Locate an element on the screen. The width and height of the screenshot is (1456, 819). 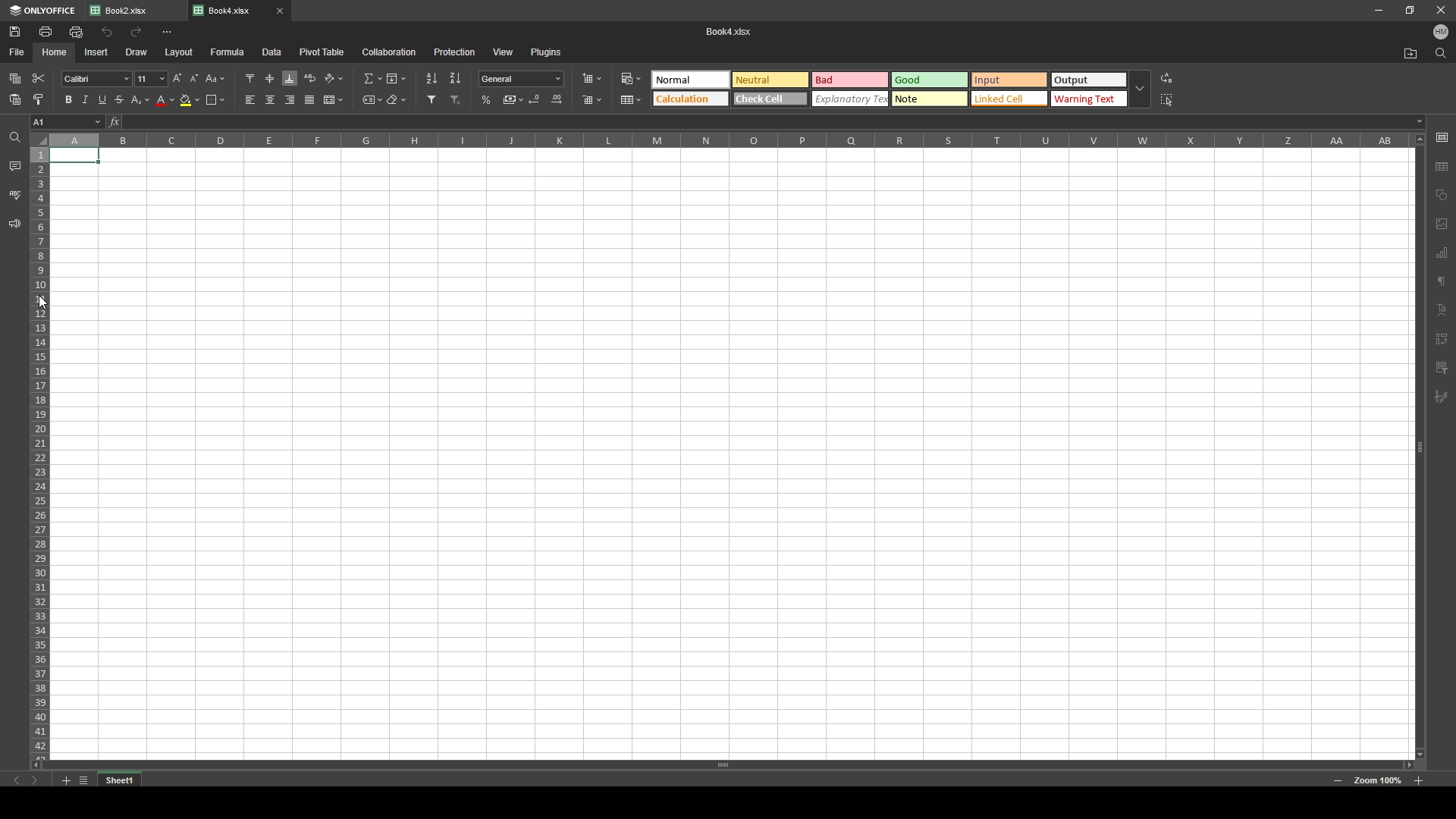
number format is located at coordinates (522, 78).